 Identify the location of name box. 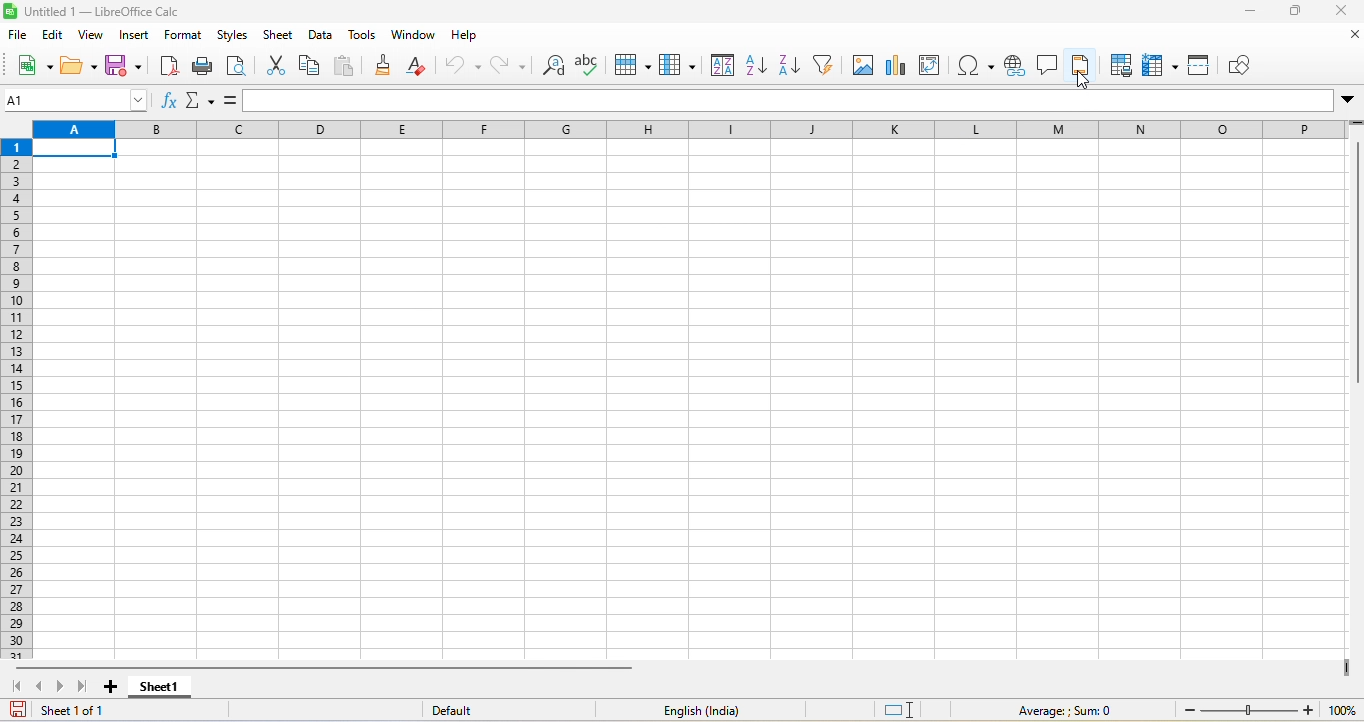
(77, 100).